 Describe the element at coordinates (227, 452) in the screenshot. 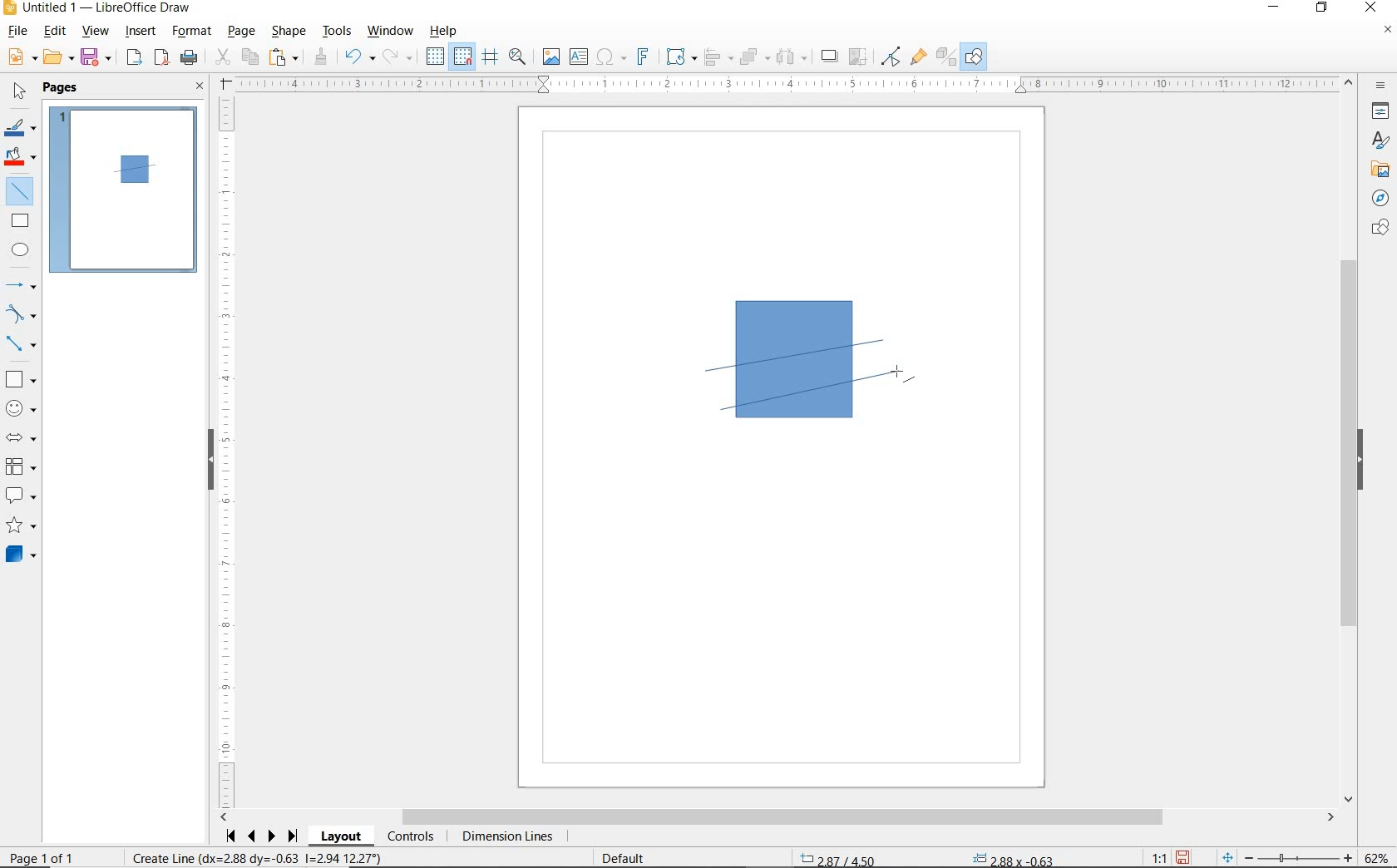

I see `RULER` at that location.